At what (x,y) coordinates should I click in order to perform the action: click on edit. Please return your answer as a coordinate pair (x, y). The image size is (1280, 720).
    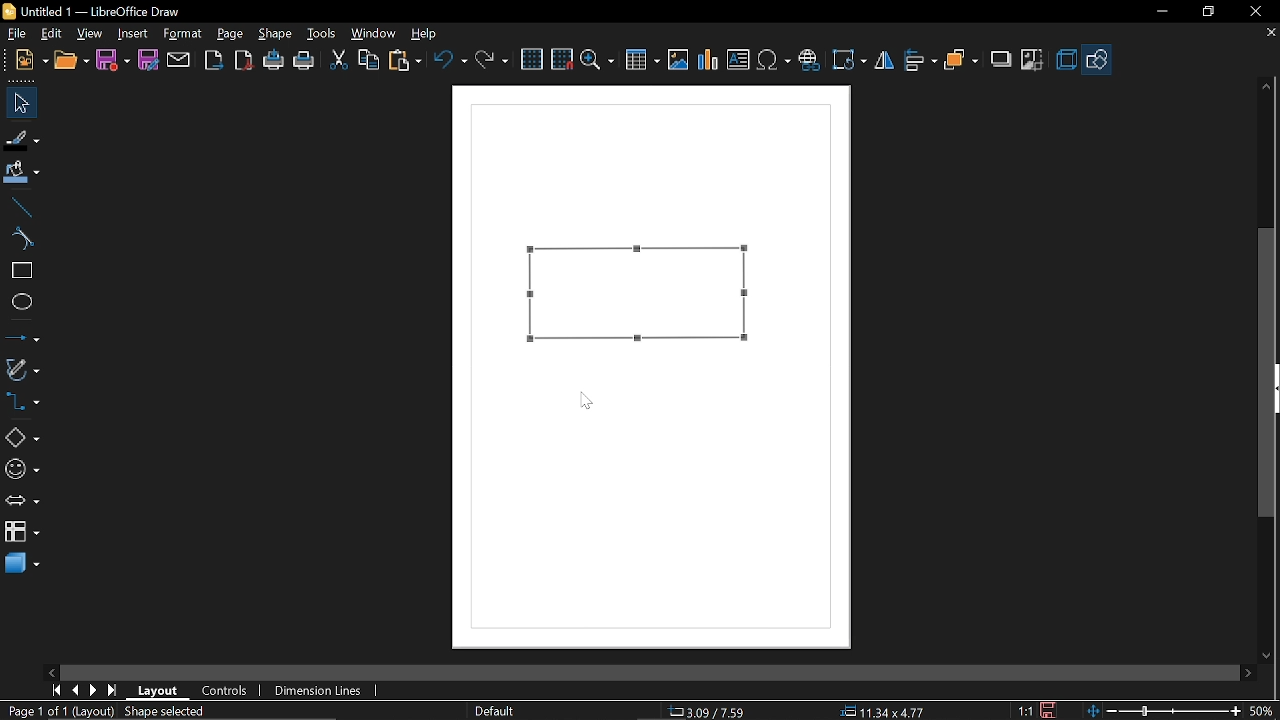
    Looking at the image, I should click on (53, 34).